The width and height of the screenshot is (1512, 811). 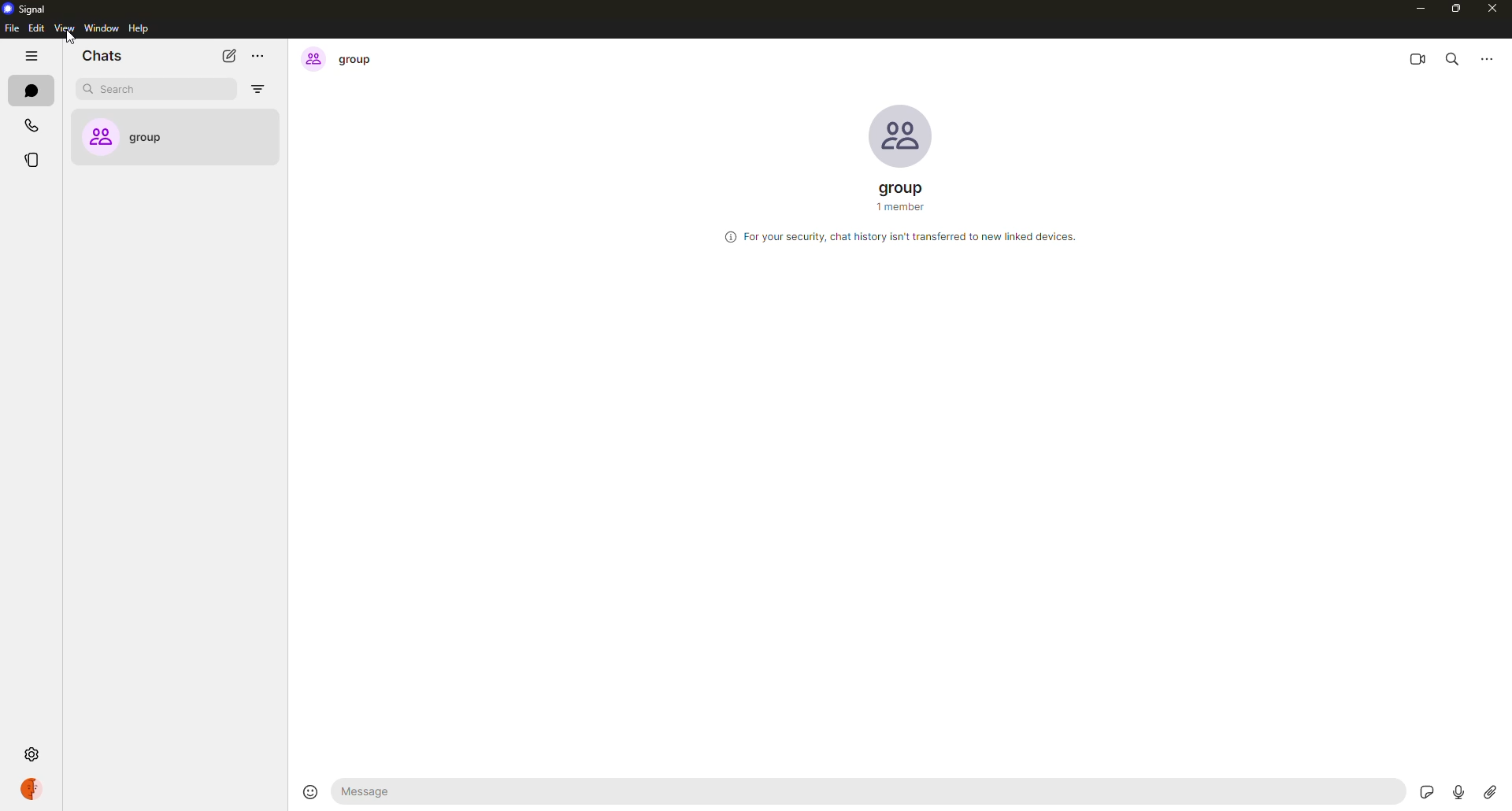 I want to click on settings, so click(x=31, y=754).